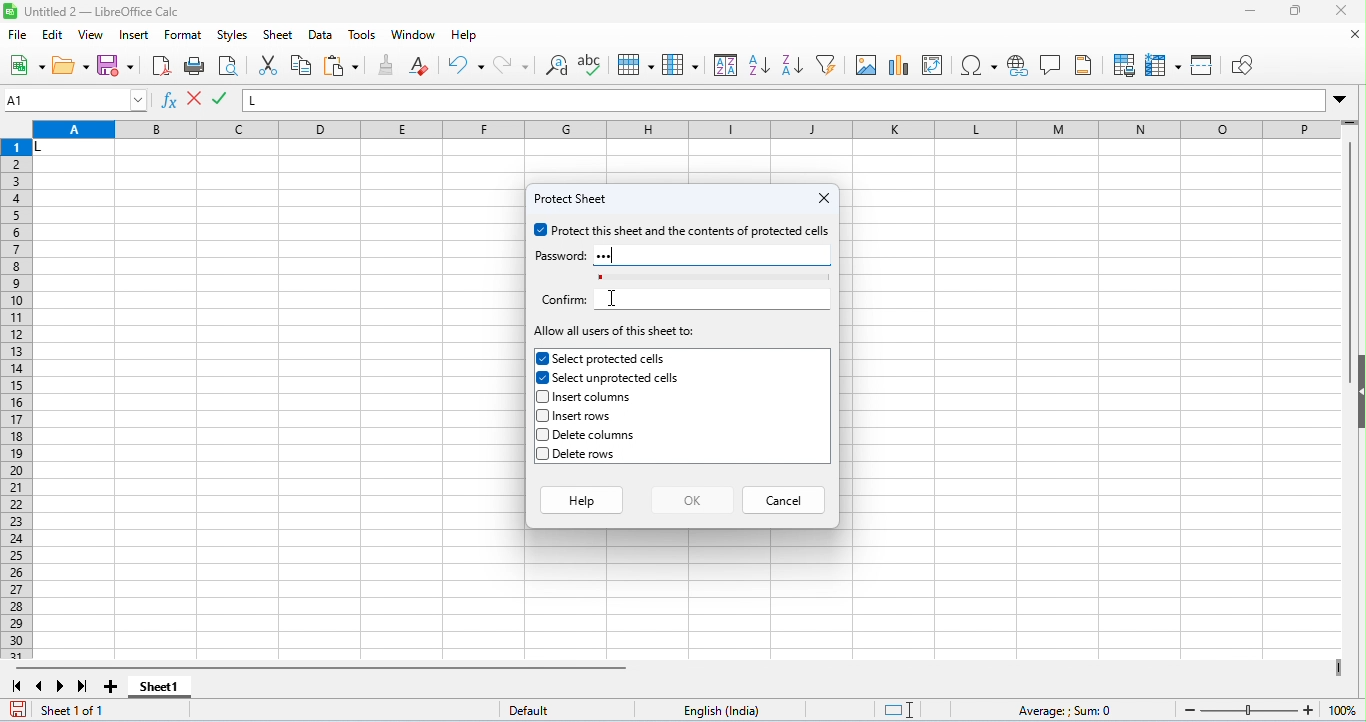 The width and height of the screenshot is (1366, 722). Describe the element at coordinates (1083, 65) in the screenshot. I see `header and footer` at that location.